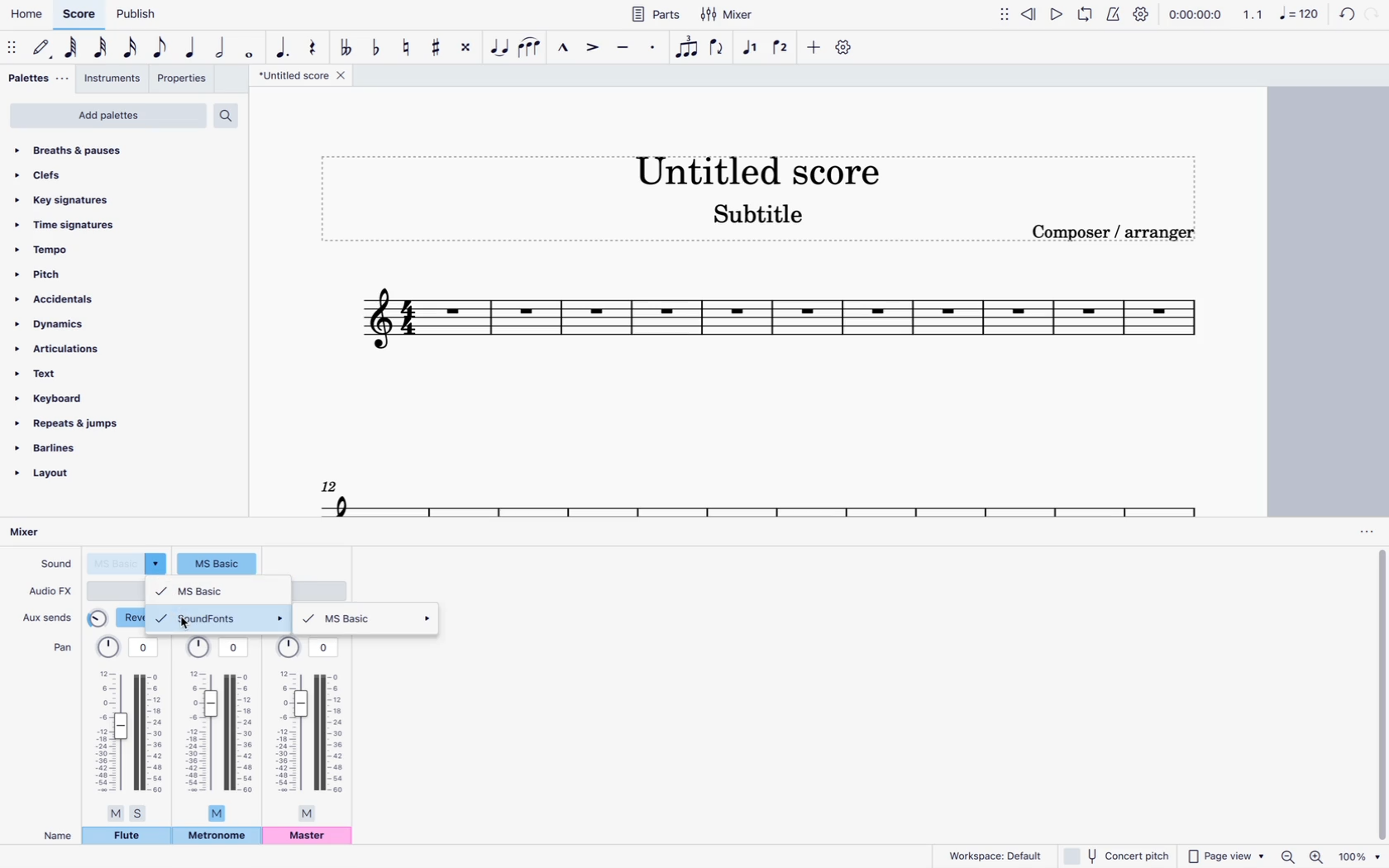 This screenshot has height=868, width=1389. I want to click on options, so click(1365, 532).